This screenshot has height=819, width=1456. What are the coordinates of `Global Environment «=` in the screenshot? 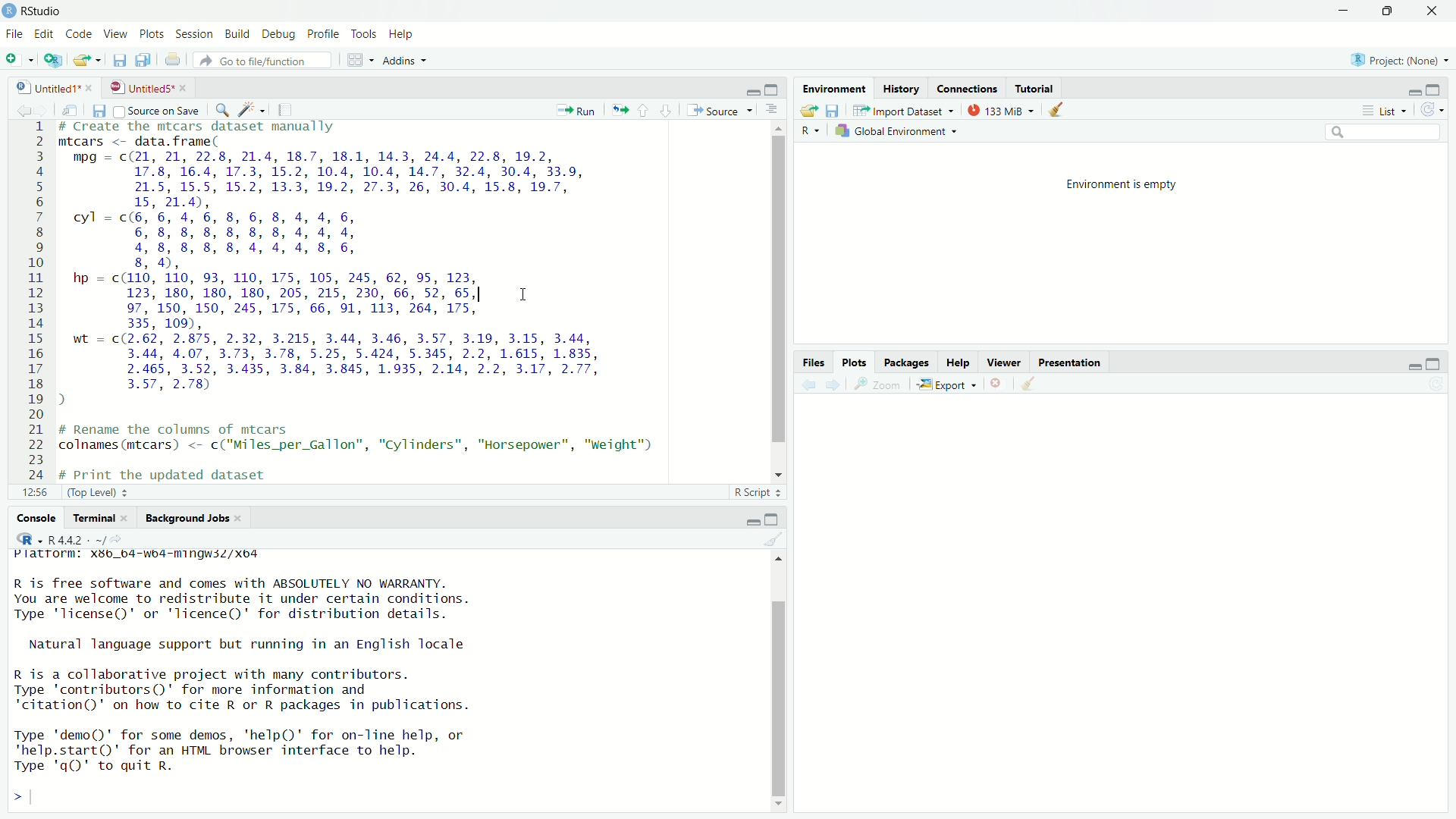 It's located at (899, 130).